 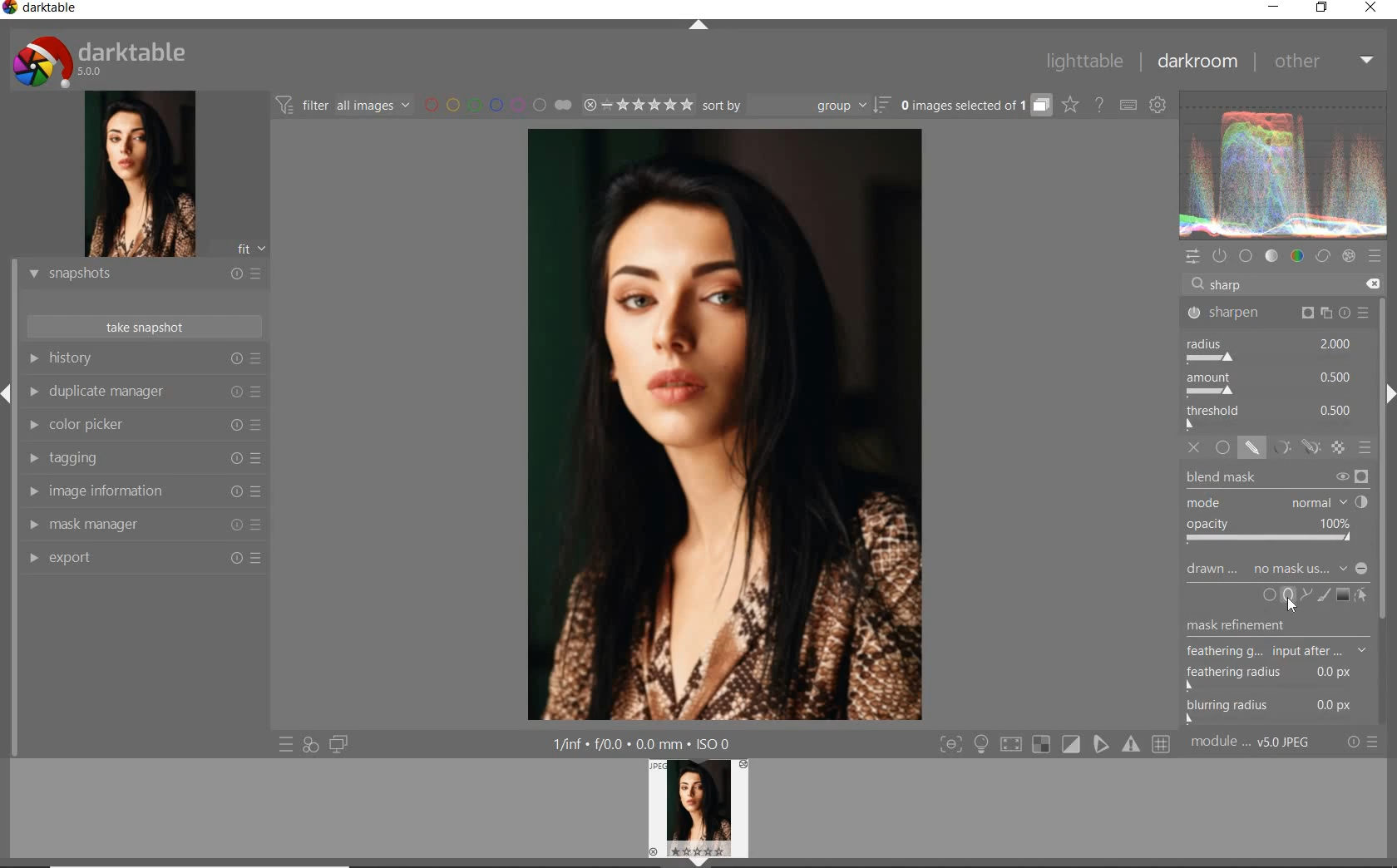 What do you see at coordinates (1278, 312) in the screenshot?
I see `sharpen` at bounding box center [1278, 312].